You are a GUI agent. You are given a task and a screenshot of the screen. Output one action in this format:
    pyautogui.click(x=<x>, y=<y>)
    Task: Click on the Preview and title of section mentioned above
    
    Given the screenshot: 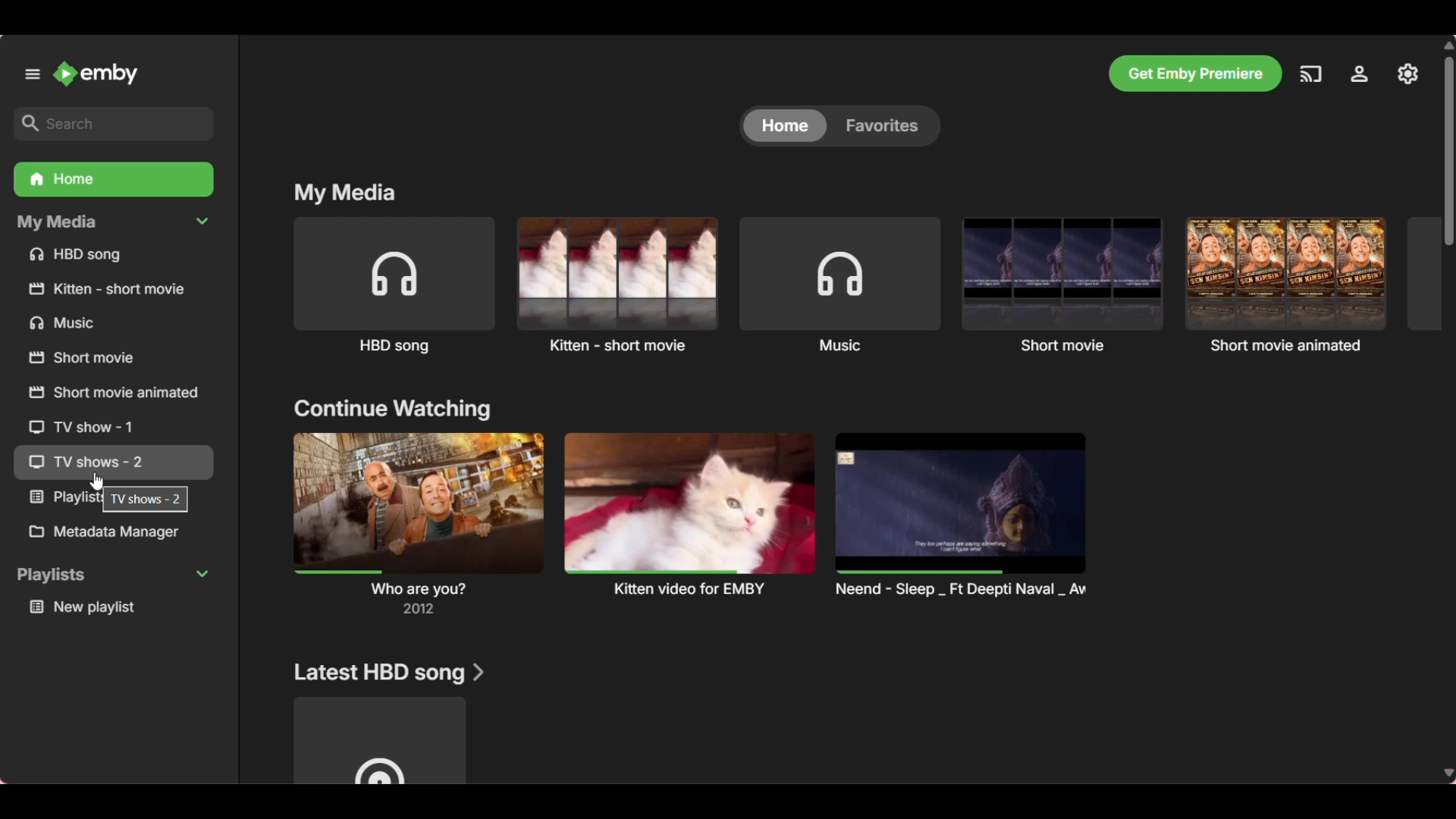 What is the action you would take?
    pyautogui.click(x=419, y=522)
    